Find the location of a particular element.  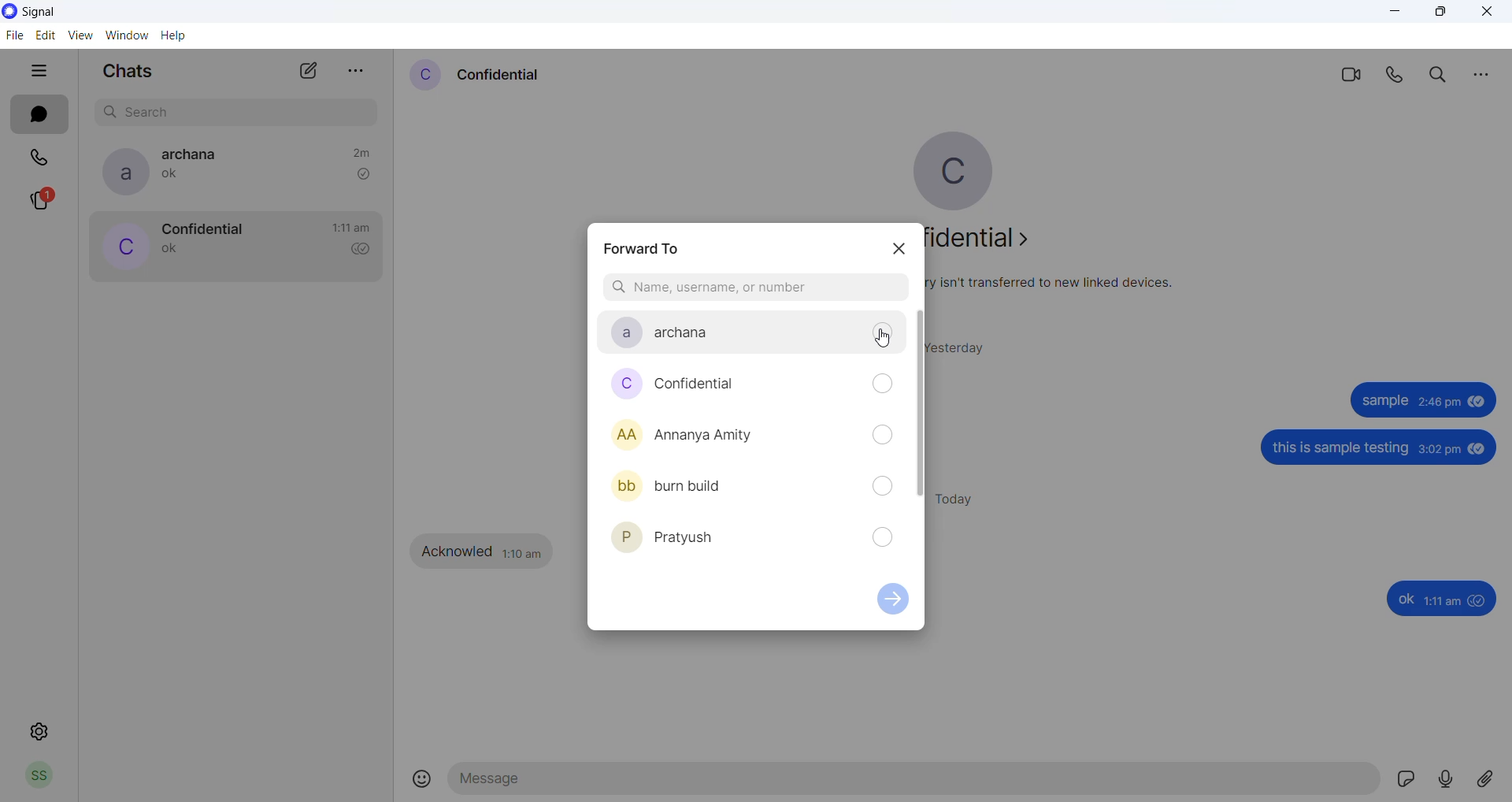

last message is located at coordinates (171, 251).